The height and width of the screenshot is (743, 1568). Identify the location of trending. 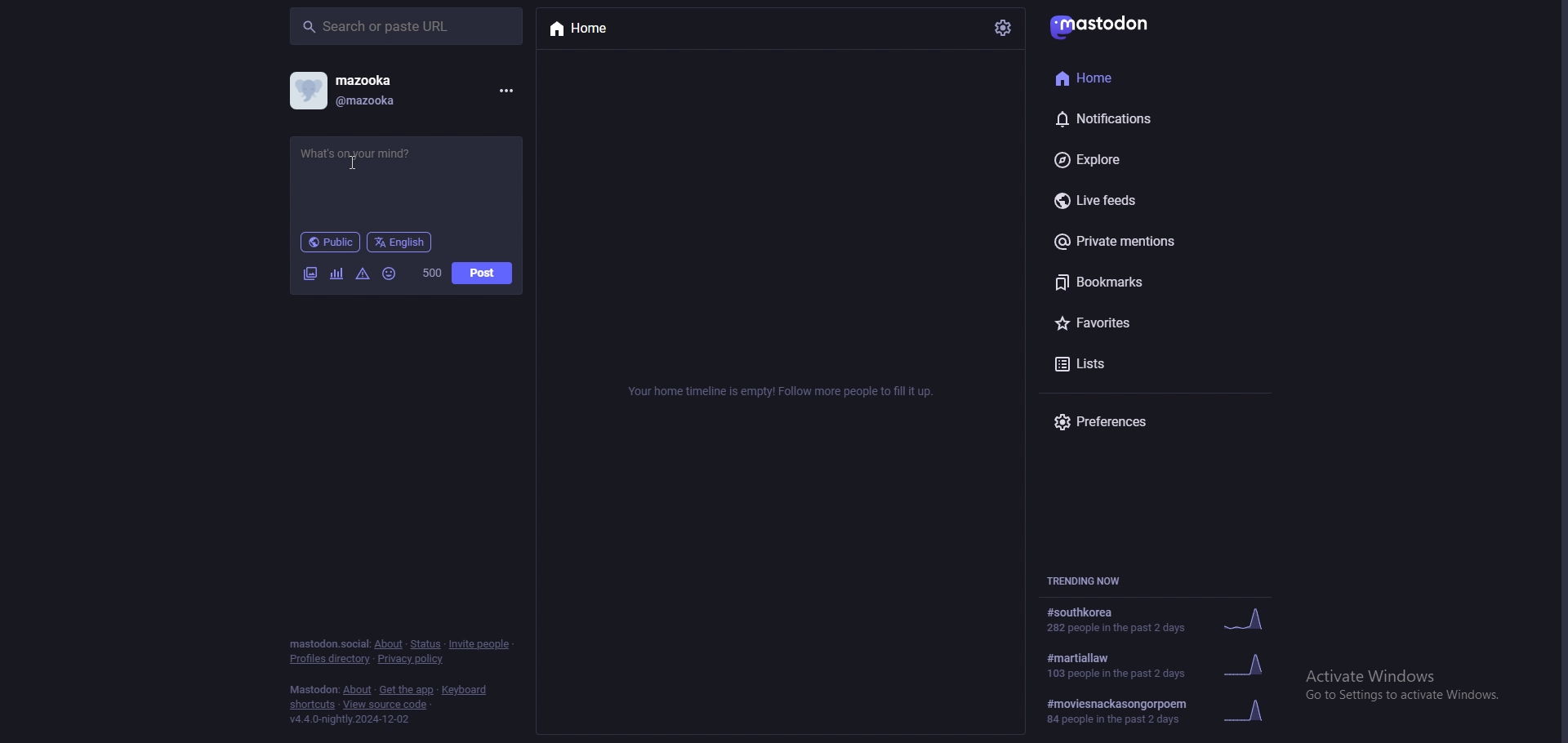
(1158, 618).